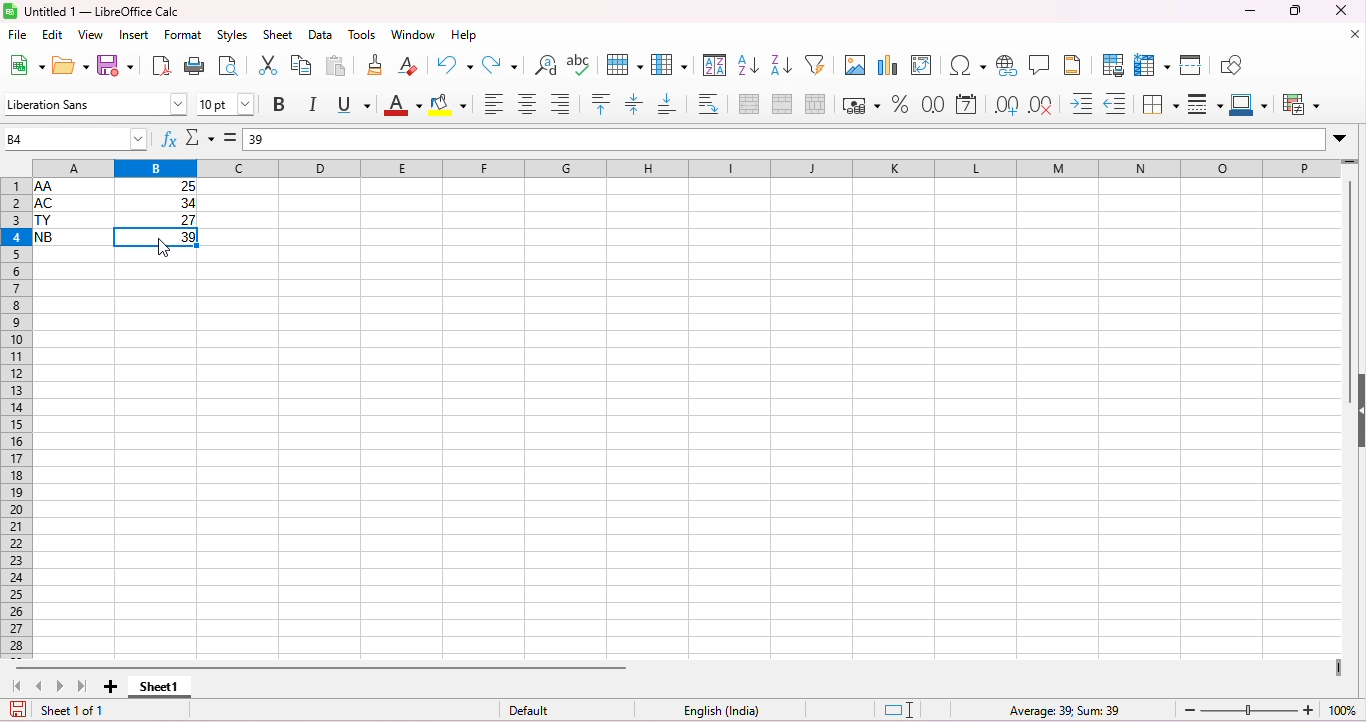 This screenshot has height=722, width=1366. Describe the element at coordinates (968, 105) in the screenshot. I see `format as date` at that location.